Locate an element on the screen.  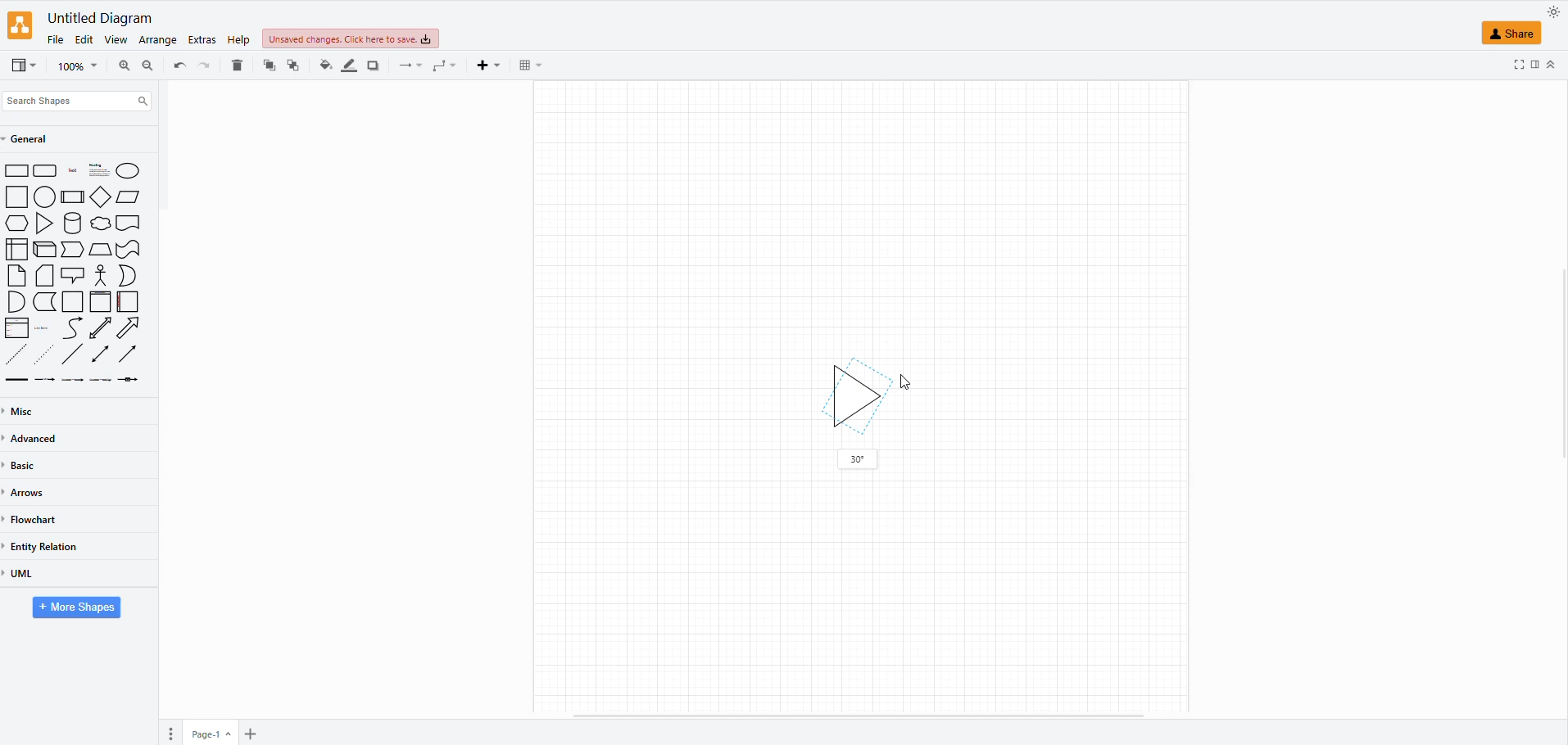
Moon is located at coordinates (128, 276).